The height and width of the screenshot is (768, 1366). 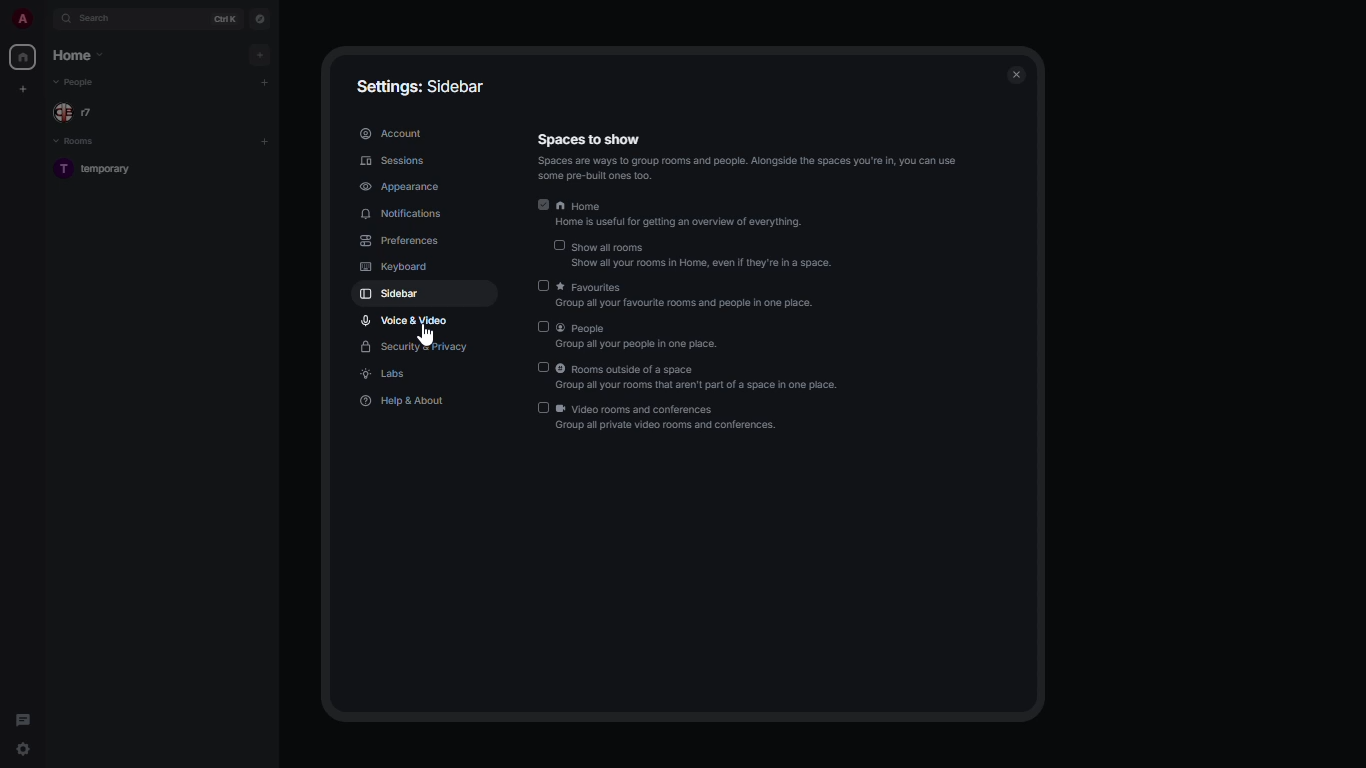 What do you see at coordinates (79, 83) in the screenshot?
I see `people` at bounding box center [79, 83].